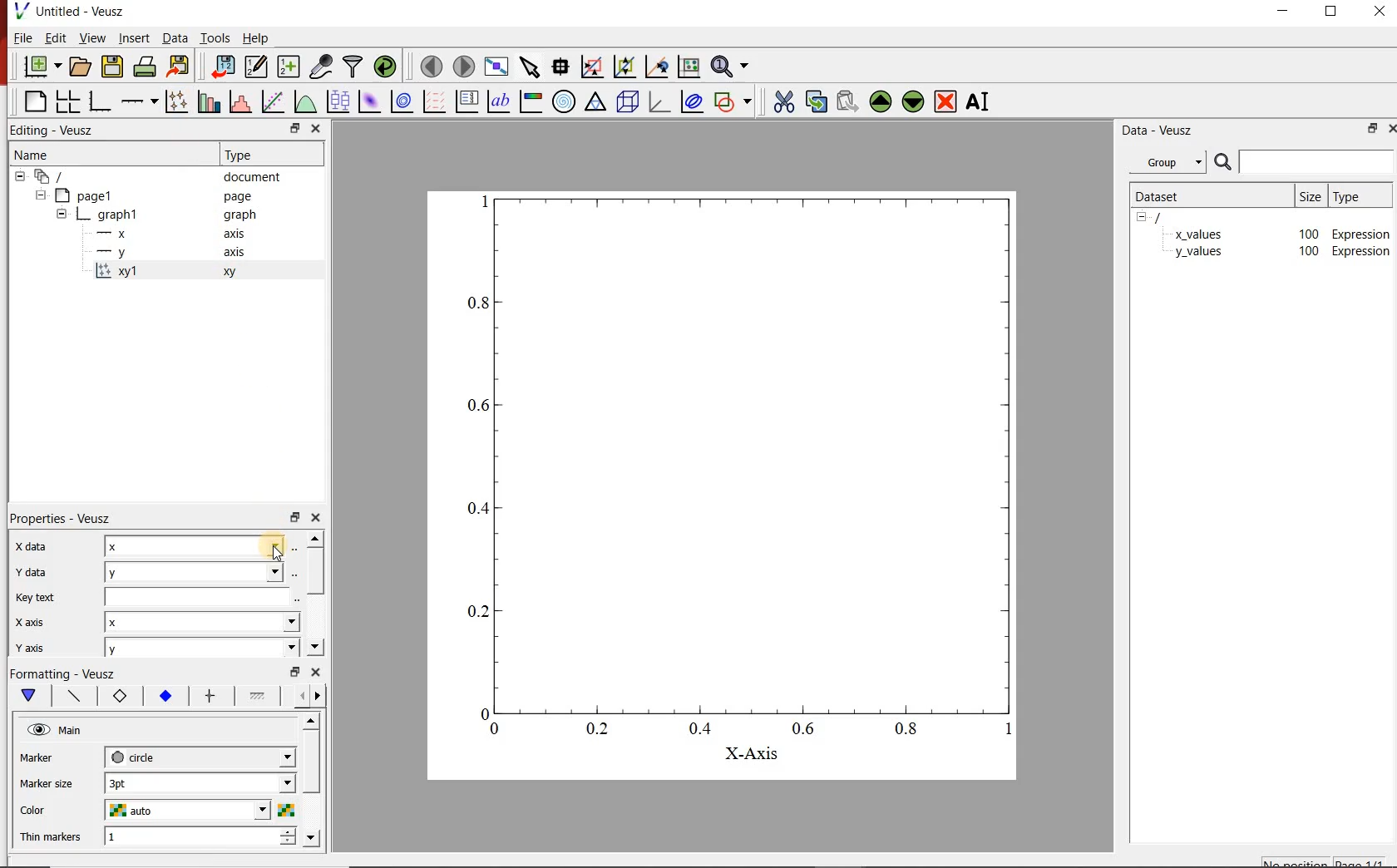 Image resolution: width=1397 pixels, height=868 pixels. Describe the element at coordinates (277, 555) in the screenshot. I see `cursor` at that location.